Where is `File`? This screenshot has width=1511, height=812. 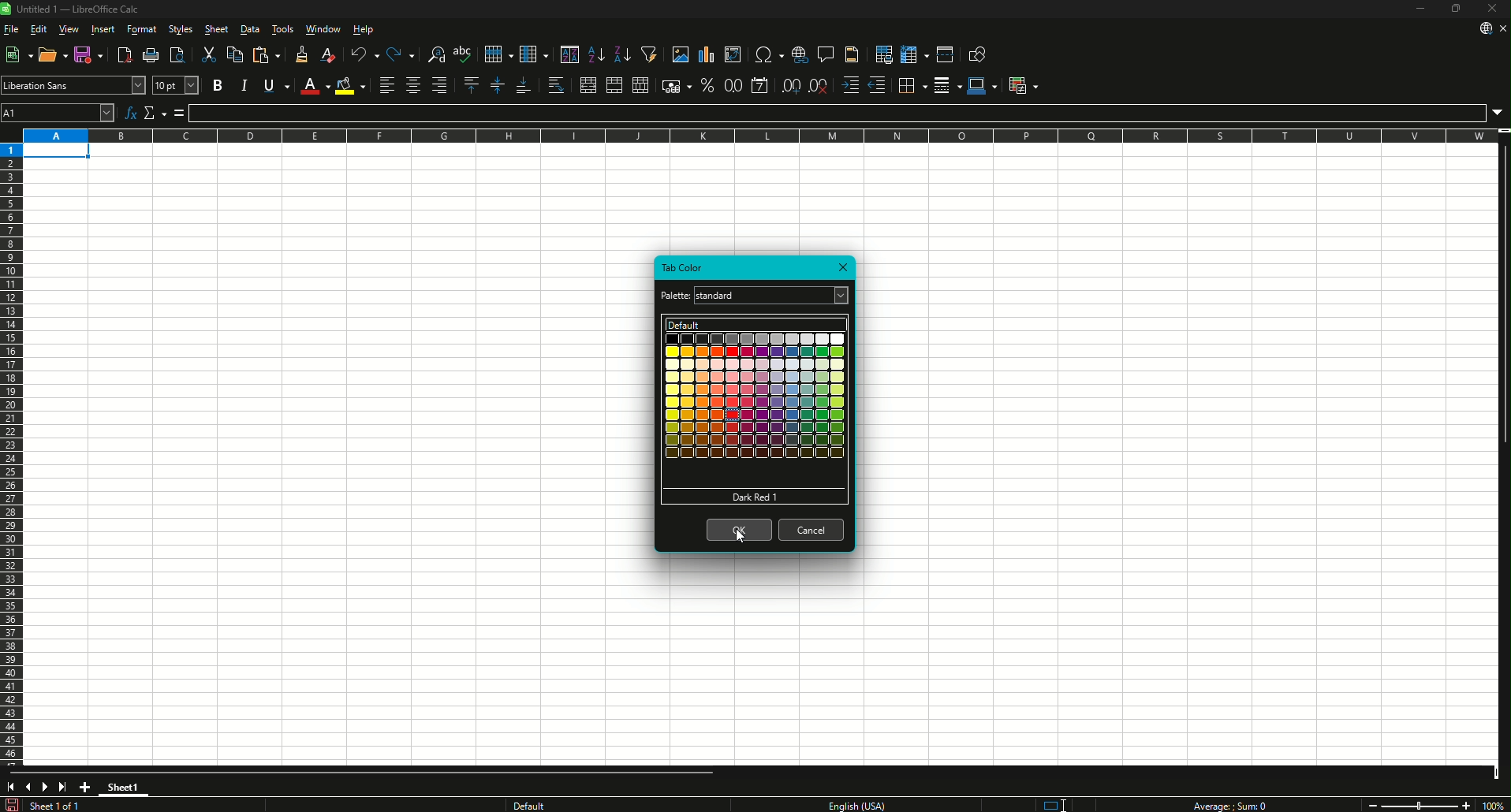
File is located at coordinates (12, 29).